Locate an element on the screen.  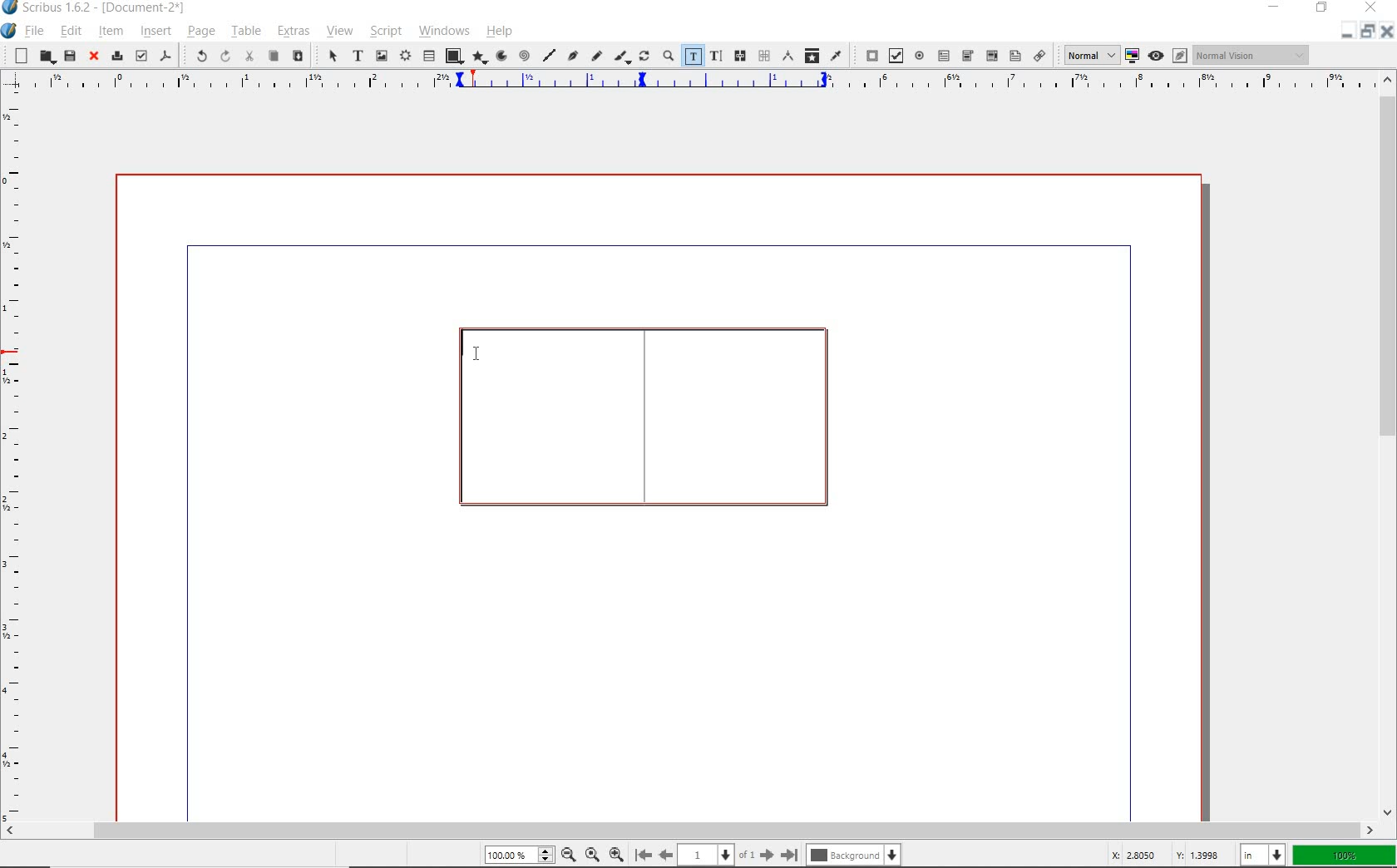
freehand line is located at coordinates (595, 55).